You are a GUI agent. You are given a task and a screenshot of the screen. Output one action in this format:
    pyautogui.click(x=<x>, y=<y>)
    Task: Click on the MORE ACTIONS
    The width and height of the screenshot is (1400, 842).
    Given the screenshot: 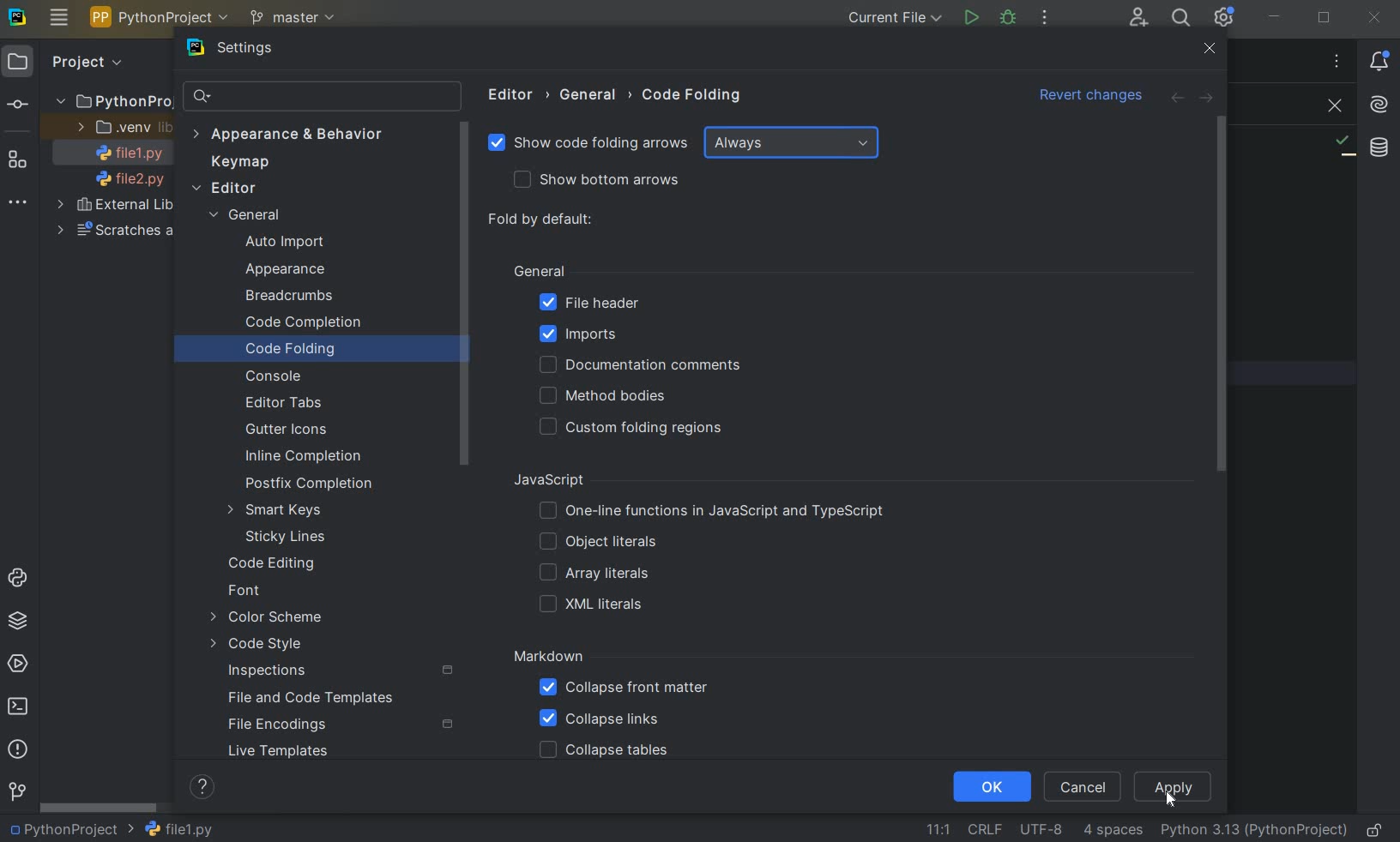 What is the action you would take?
    pyautogui.click(x=1046, y=17)
    